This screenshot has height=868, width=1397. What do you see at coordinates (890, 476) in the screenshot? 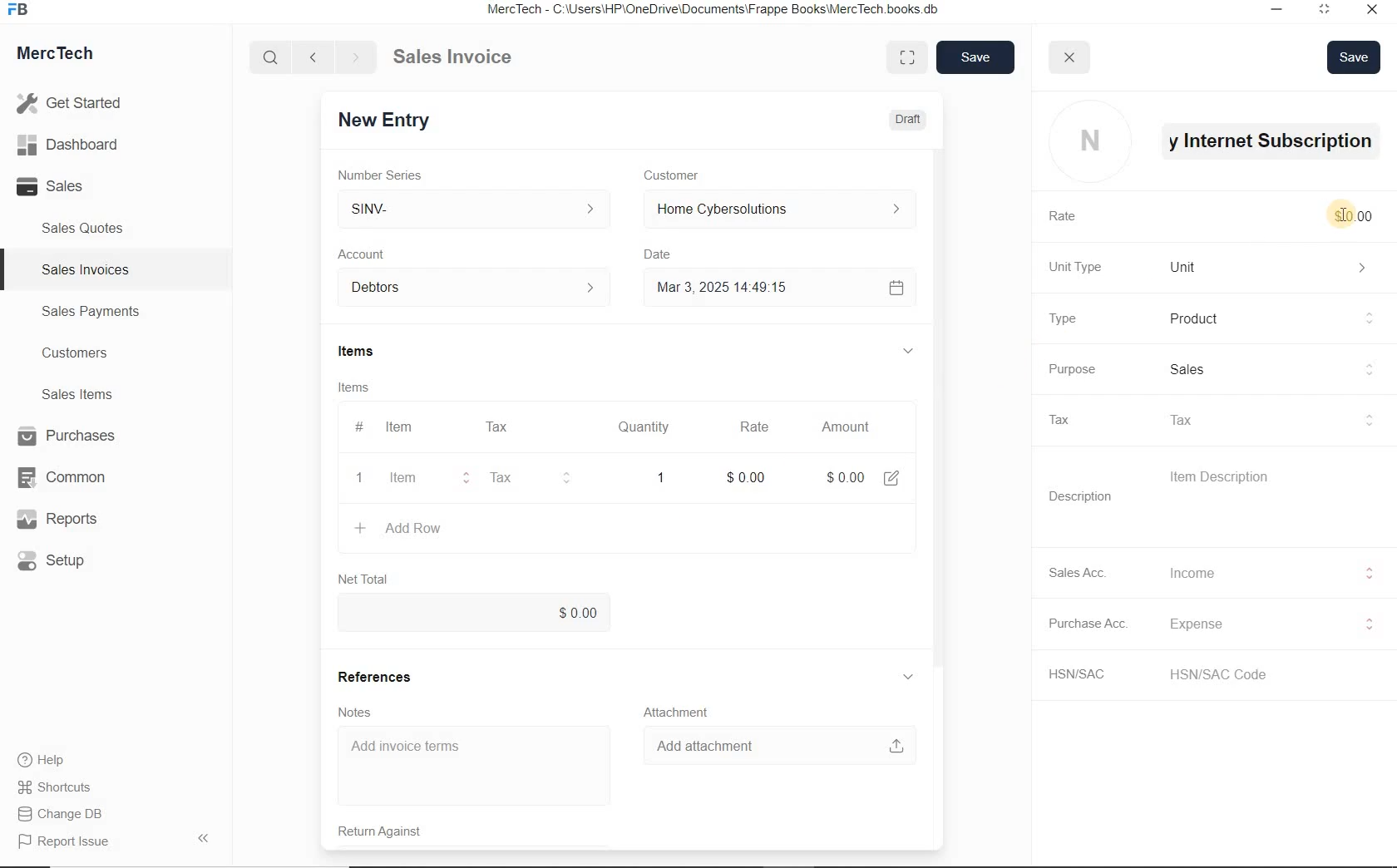
I see `edit` at bounding box center [890, 476].